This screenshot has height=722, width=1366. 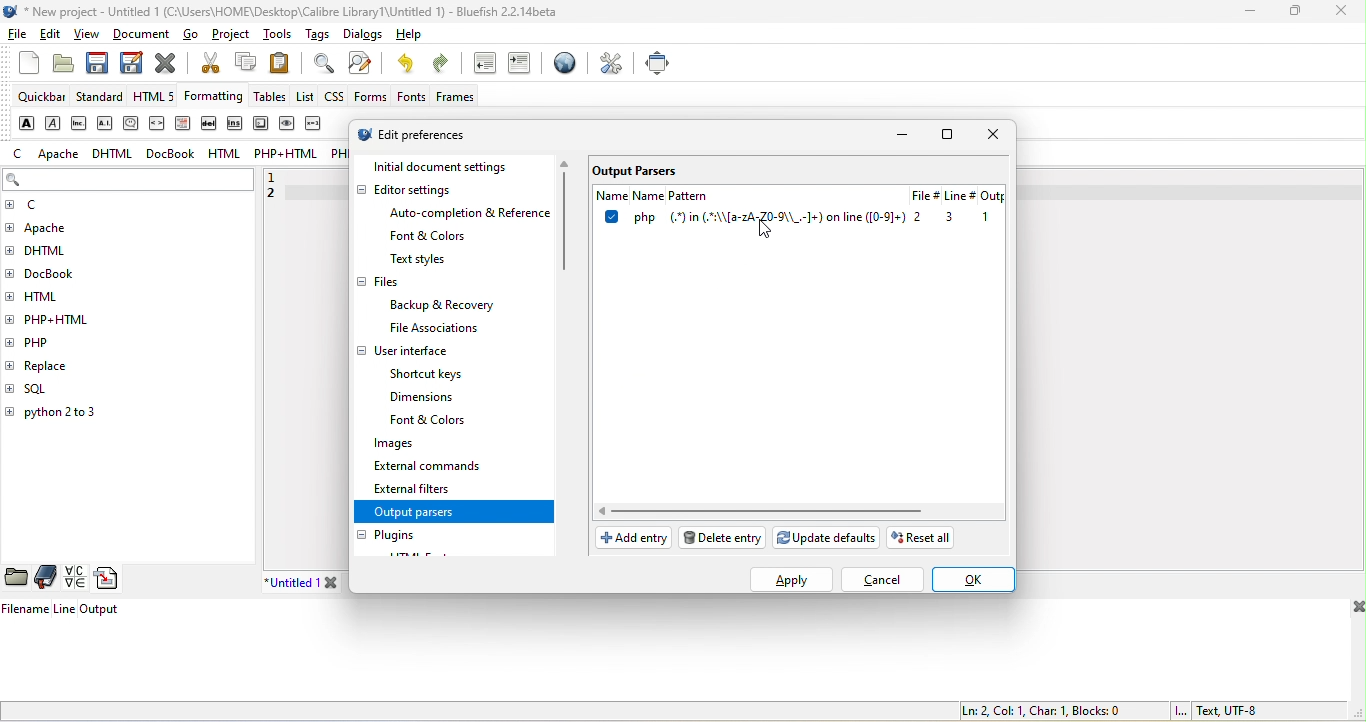 What do you see at coordinates (522, 65) in the screenshot?
I see `indent` at bounding box center [522, 65].